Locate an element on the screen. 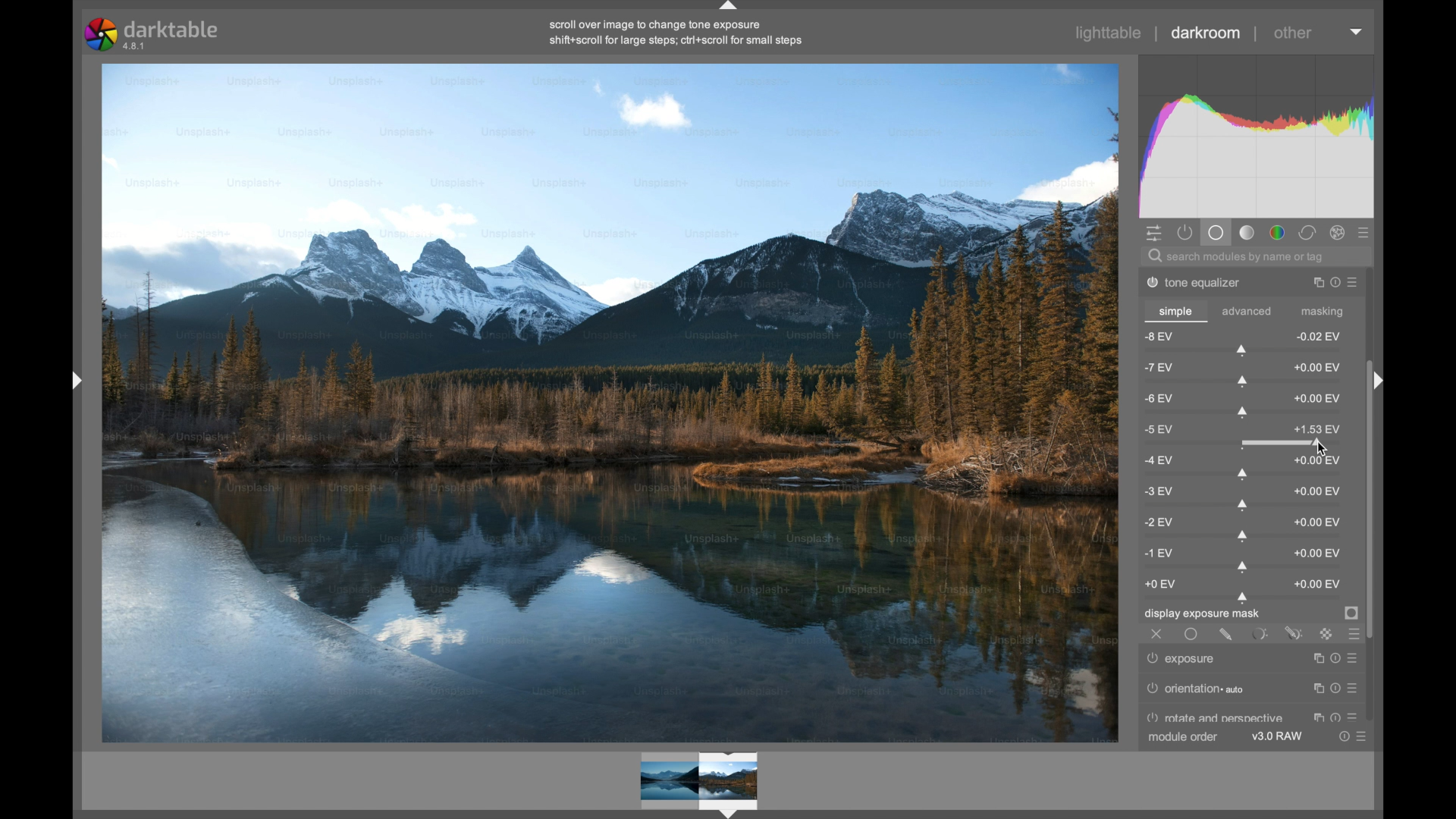  Preview is located at coordinates (708, 783).